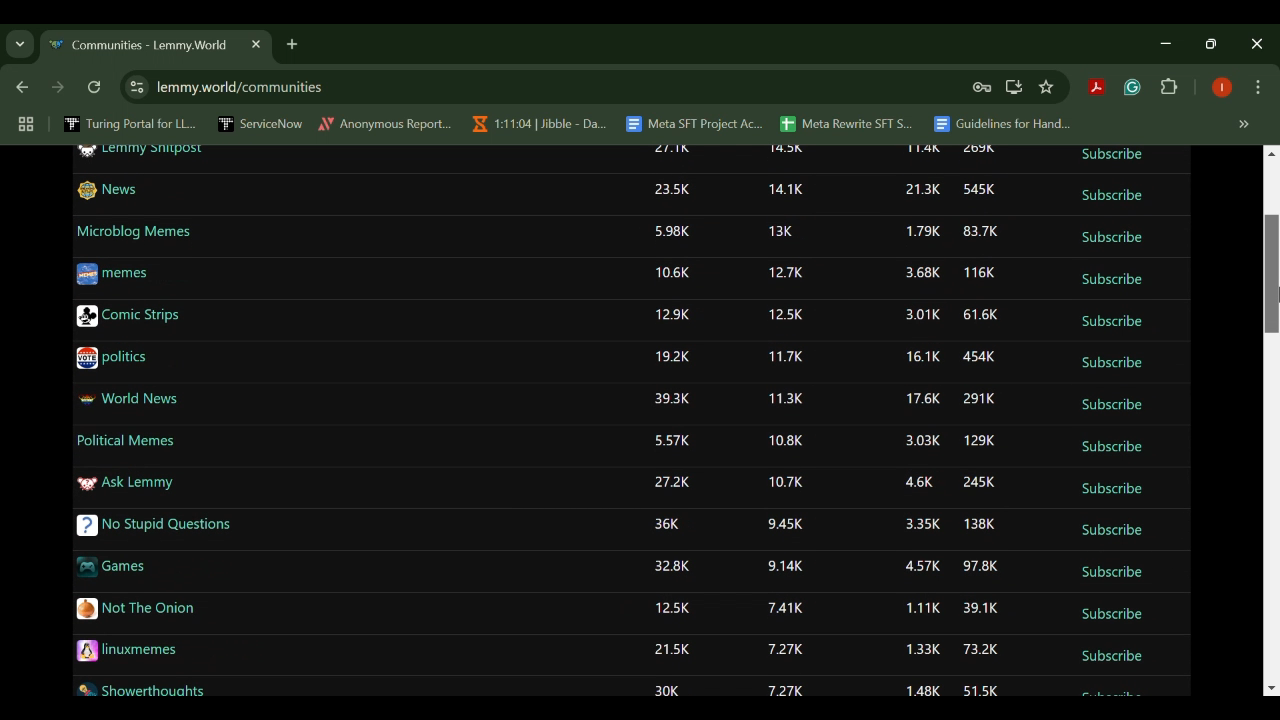 Image resolution: width=1280 pixels, height=720 pixels. What do you see at coordinates (674, 651) in the screenshot?
I see `21.5K` at bounding box center [674, 651].